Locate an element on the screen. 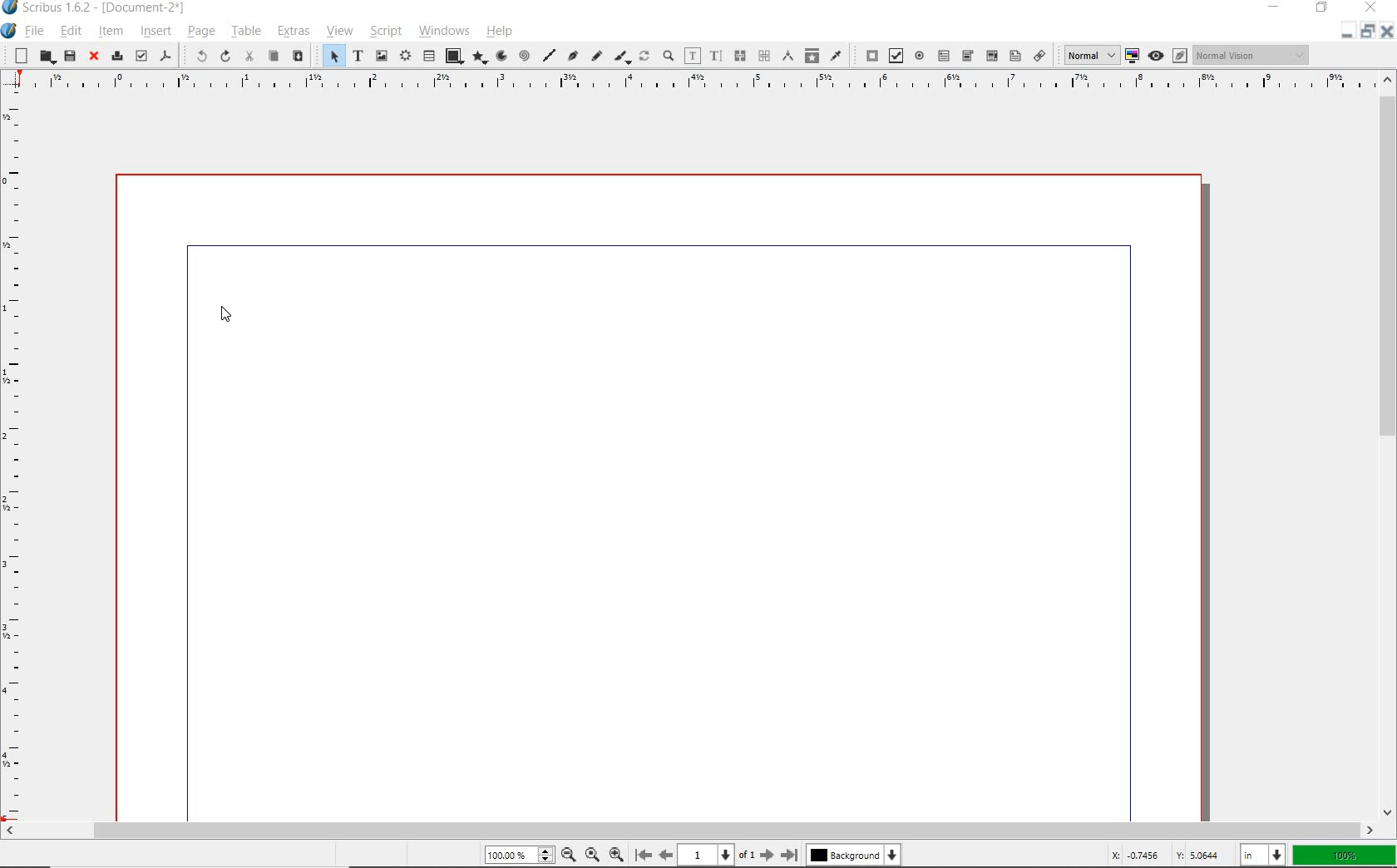 Image resolution: width=1397 pixels, height=868 pixels. open is located at coordinates (45, 57).